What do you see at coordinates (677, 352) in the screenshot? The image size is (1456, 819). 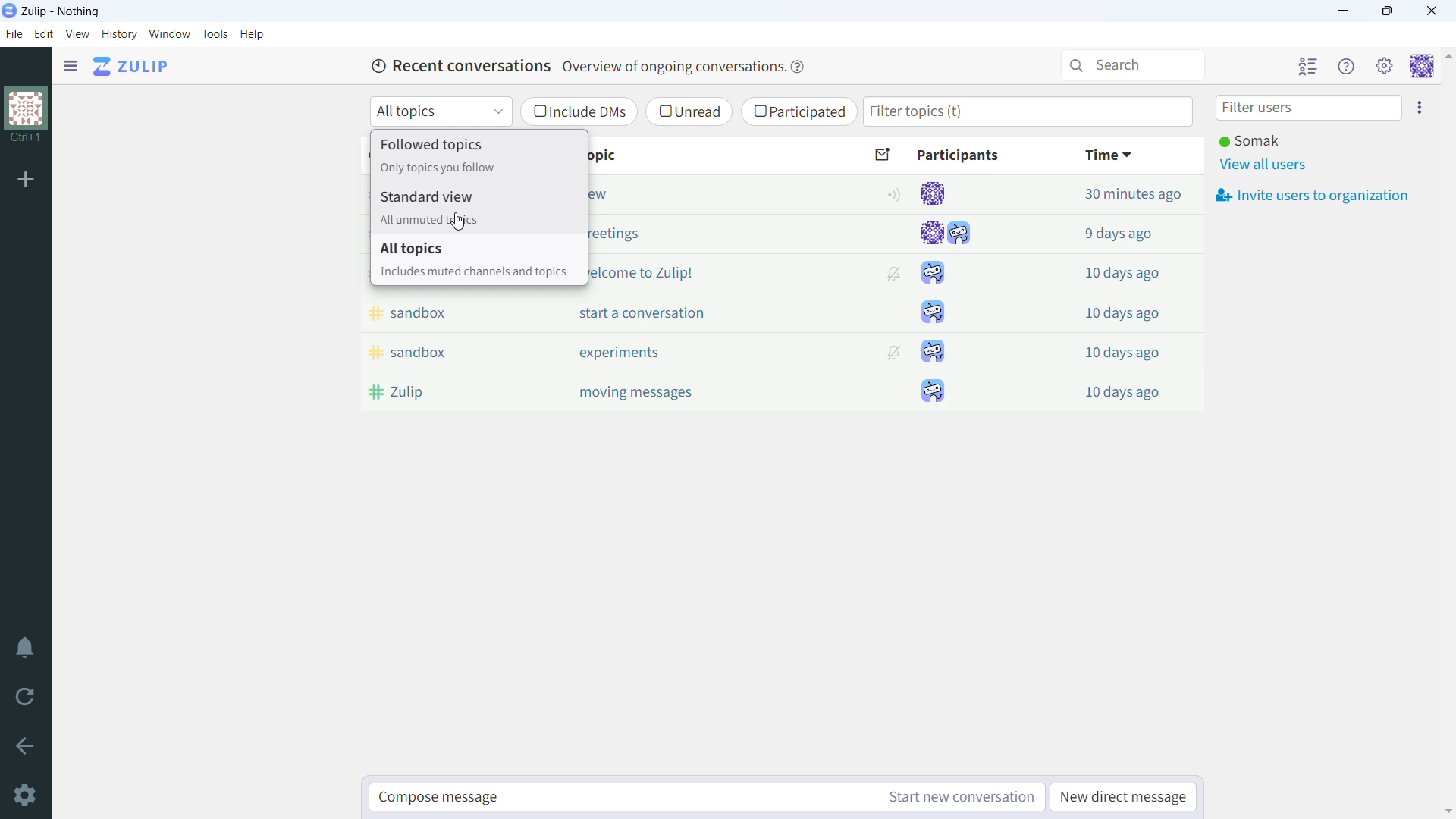 I see `experiments` at bounding box center [677, 352].